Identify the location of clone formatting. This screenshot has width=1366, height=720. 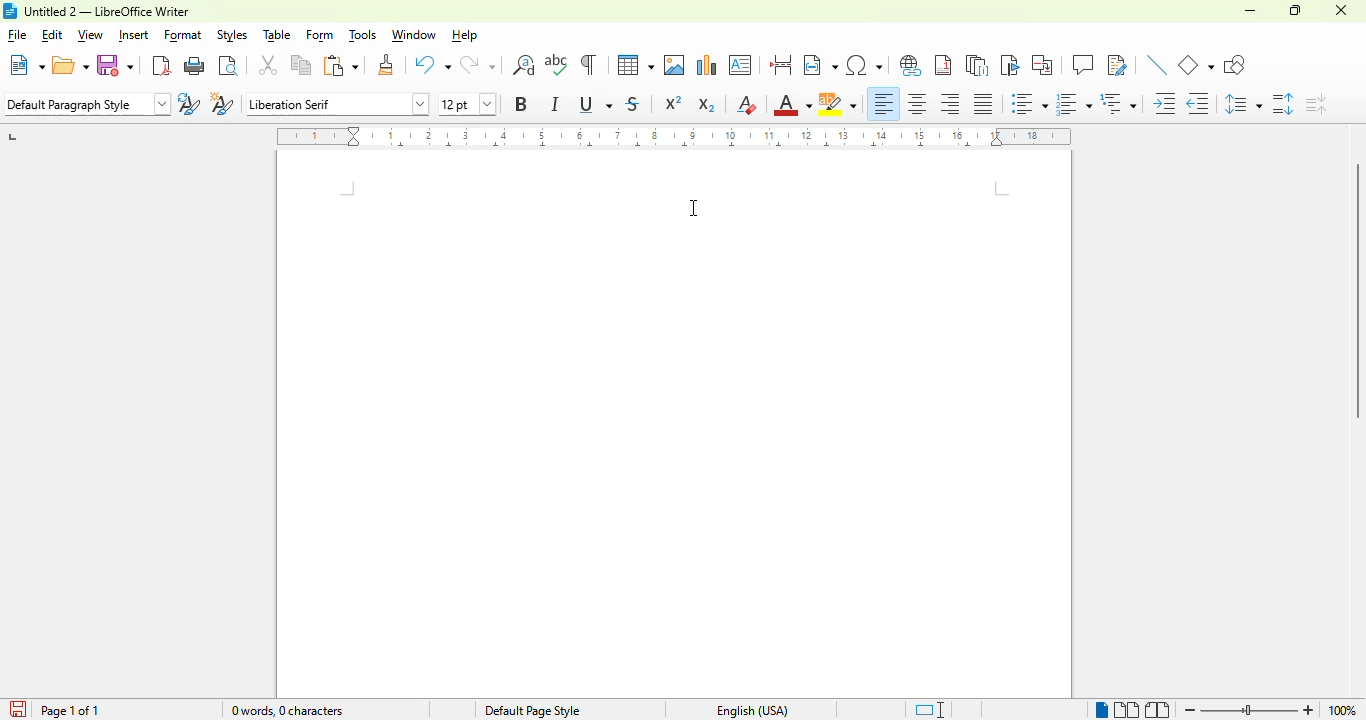
(386, 65).